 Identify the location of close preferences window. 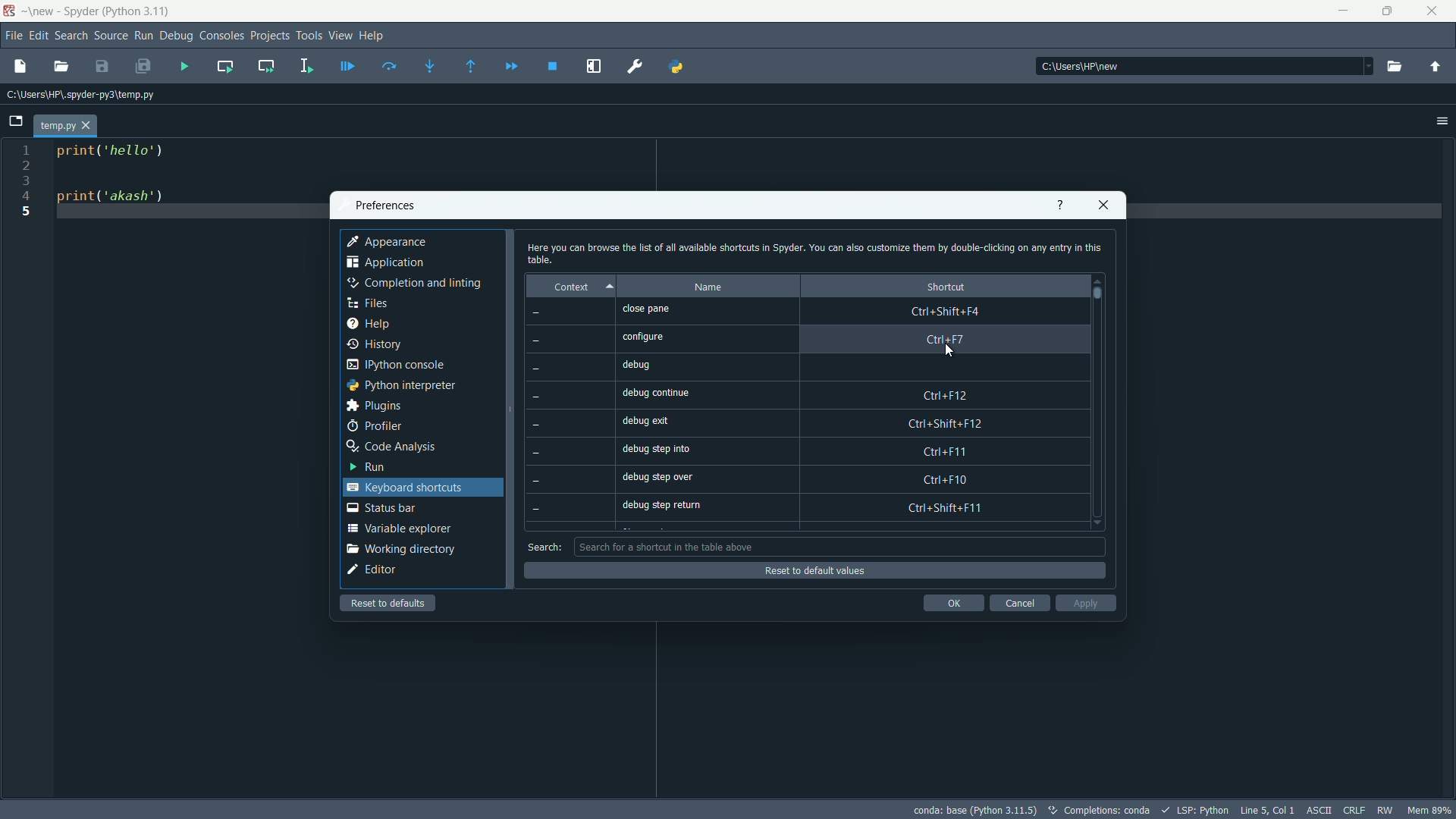
(1104, 205).